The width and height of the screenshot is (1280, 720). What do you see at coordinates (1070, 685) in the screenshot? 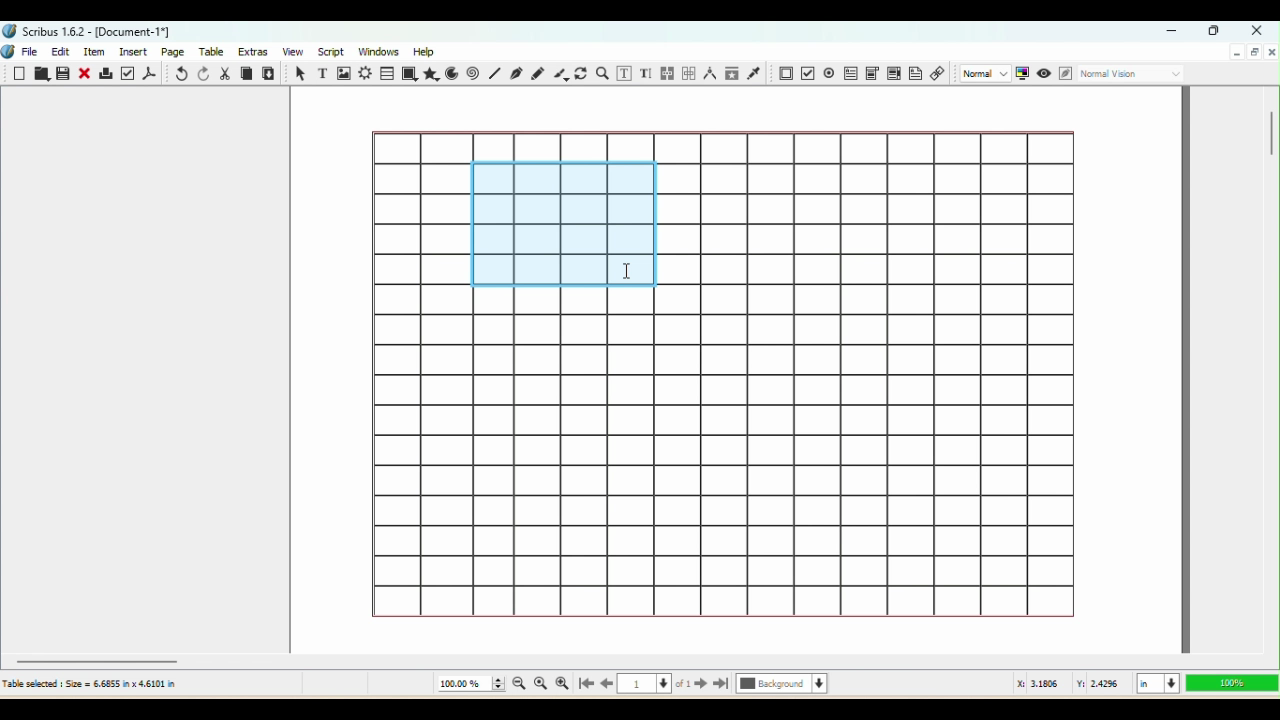
I see `: 1.8413 Y: 1.5099` at bounding box center [1070, 685].